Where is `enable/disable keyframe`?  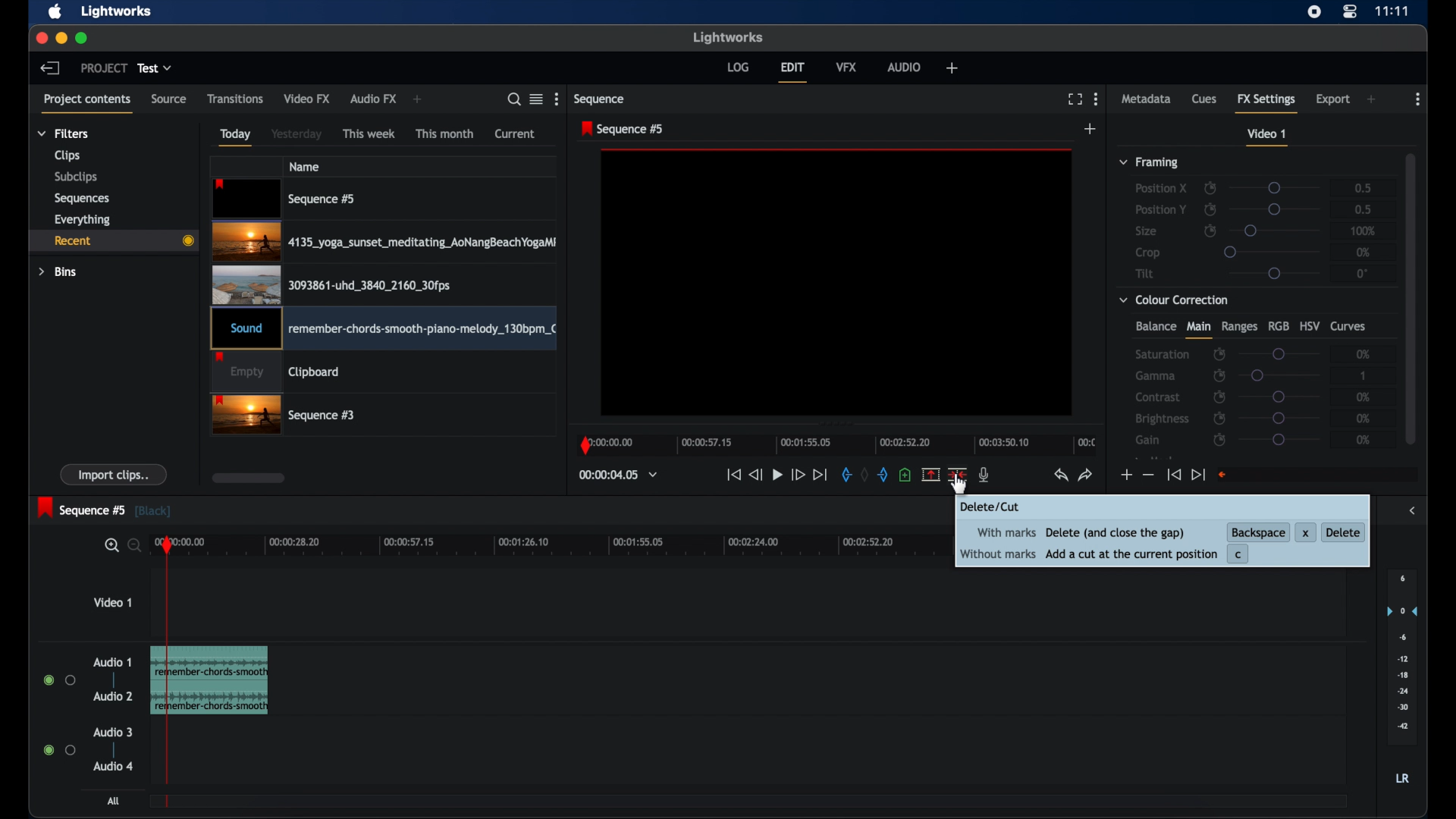 enable/disable keyframe is located at coordinates (1210, 209).